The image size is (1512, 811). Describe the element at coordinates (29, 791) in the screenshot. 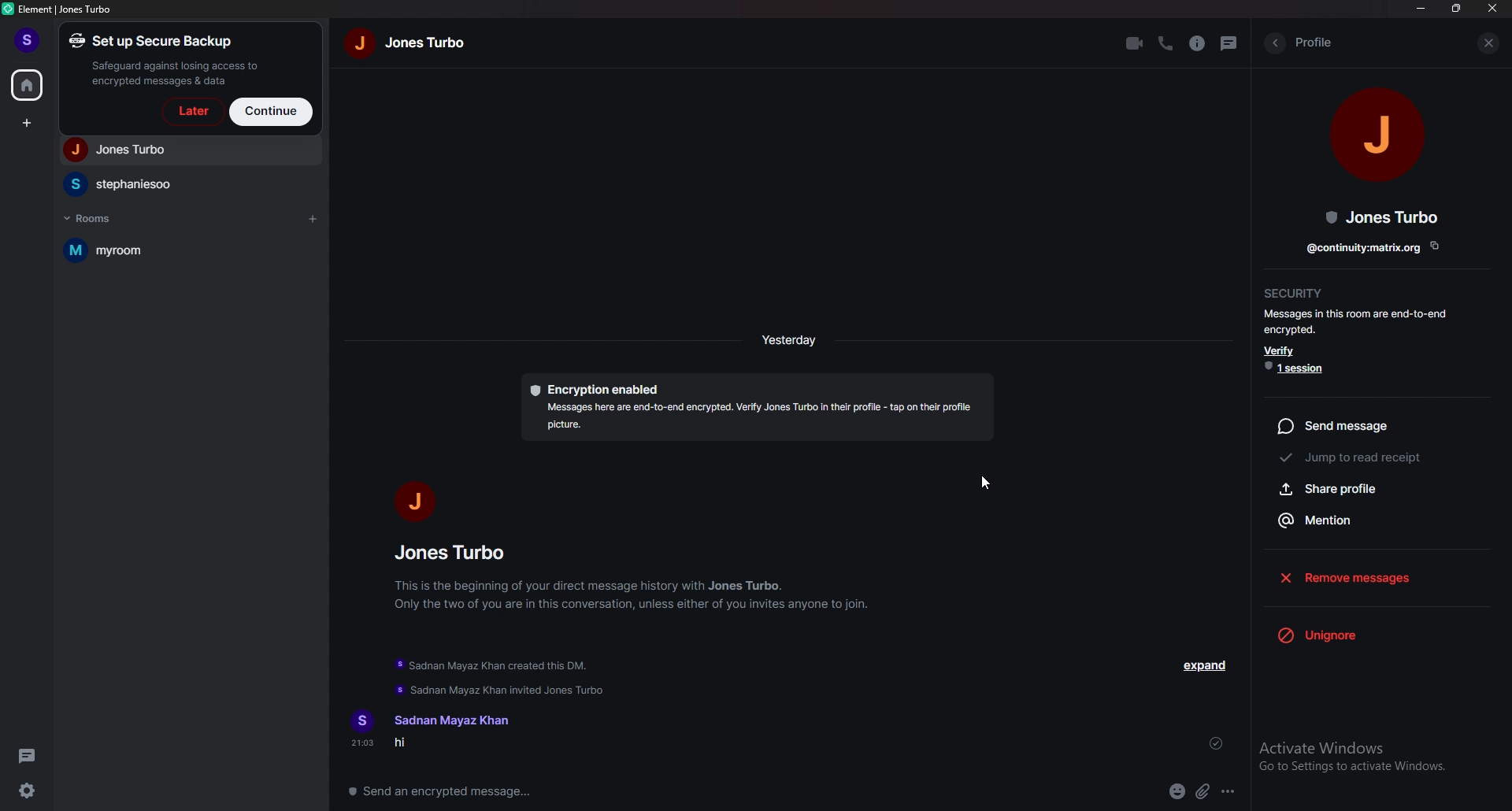

I see `settings` at that location.